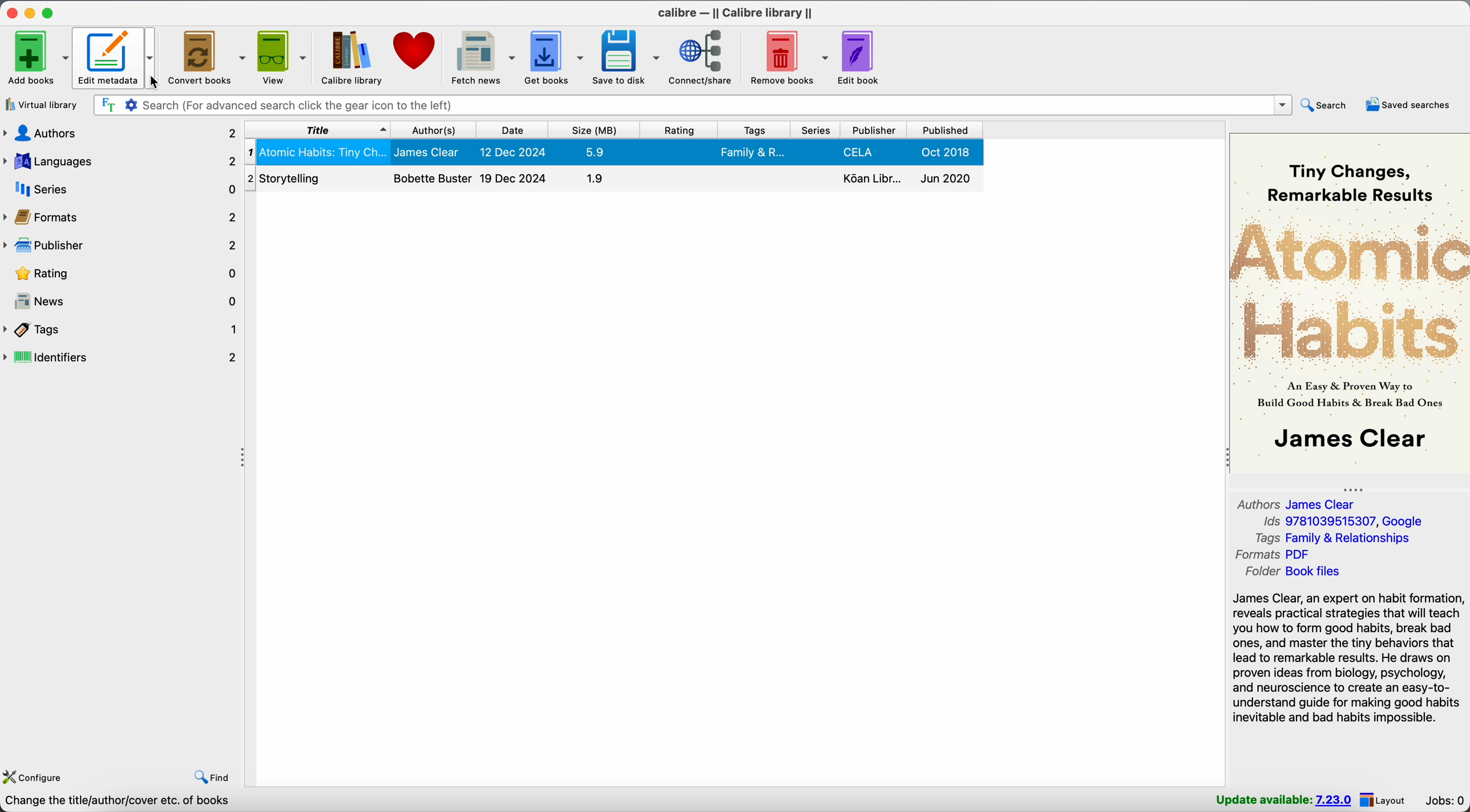 This screenshot has height=812, width=1470. Describe the element at coordinates (862, 59) in the screenshot. I see `edit book` at that location.